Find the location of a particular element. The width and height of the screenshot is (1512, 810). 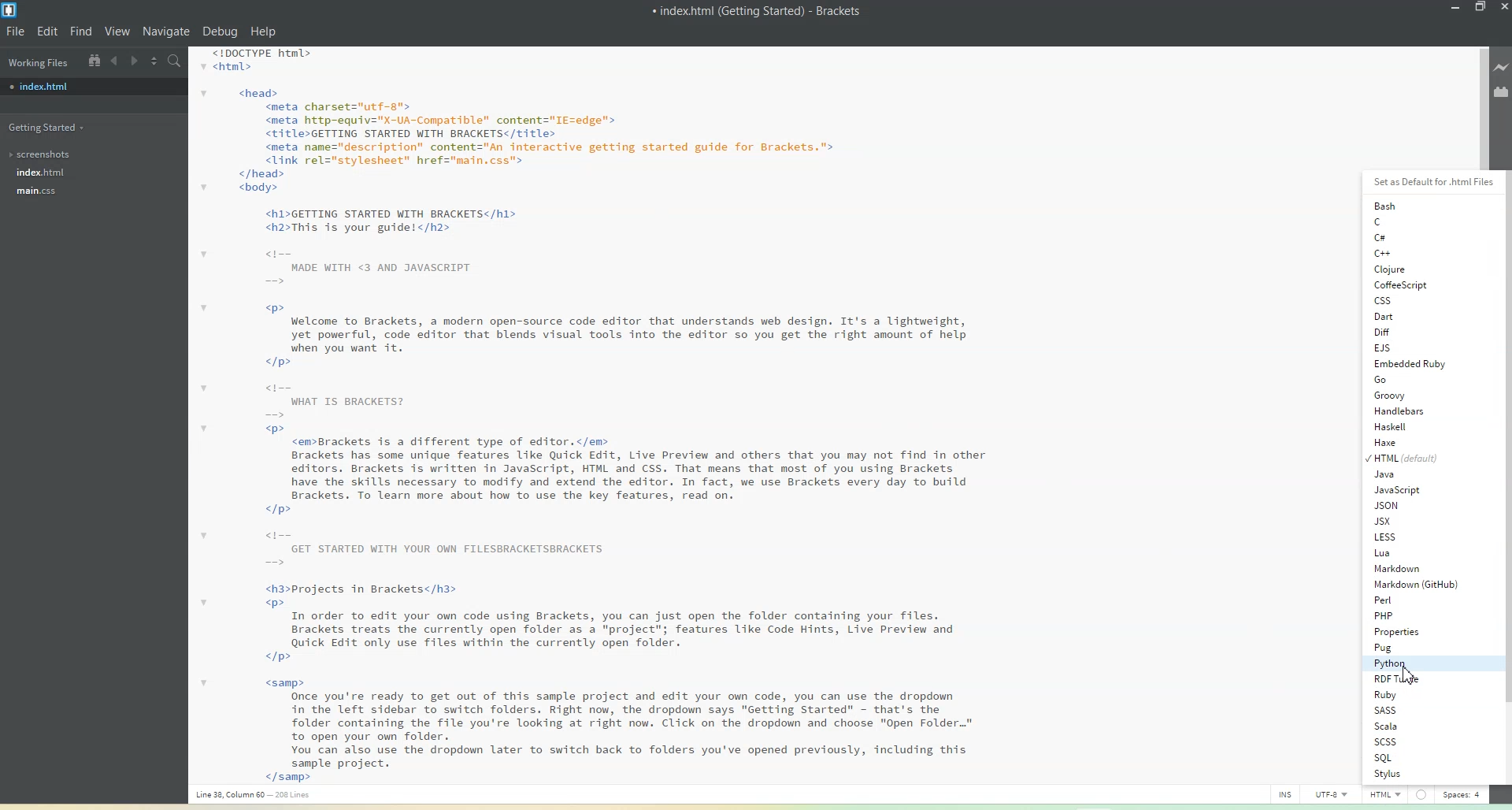

Markdown (Github) is located at coordinates (1416, 584).